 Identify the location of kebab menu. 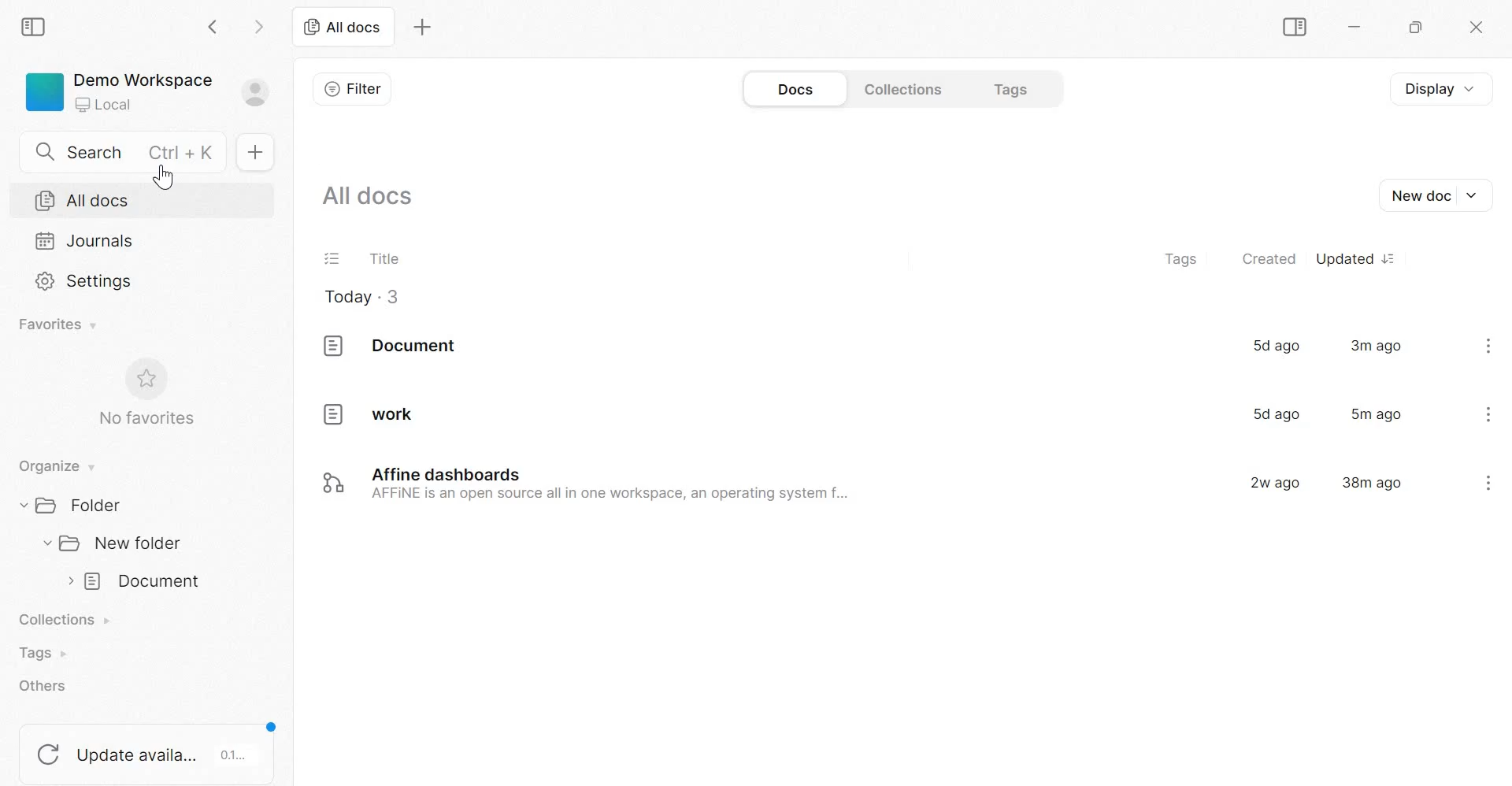
(1489, 414).